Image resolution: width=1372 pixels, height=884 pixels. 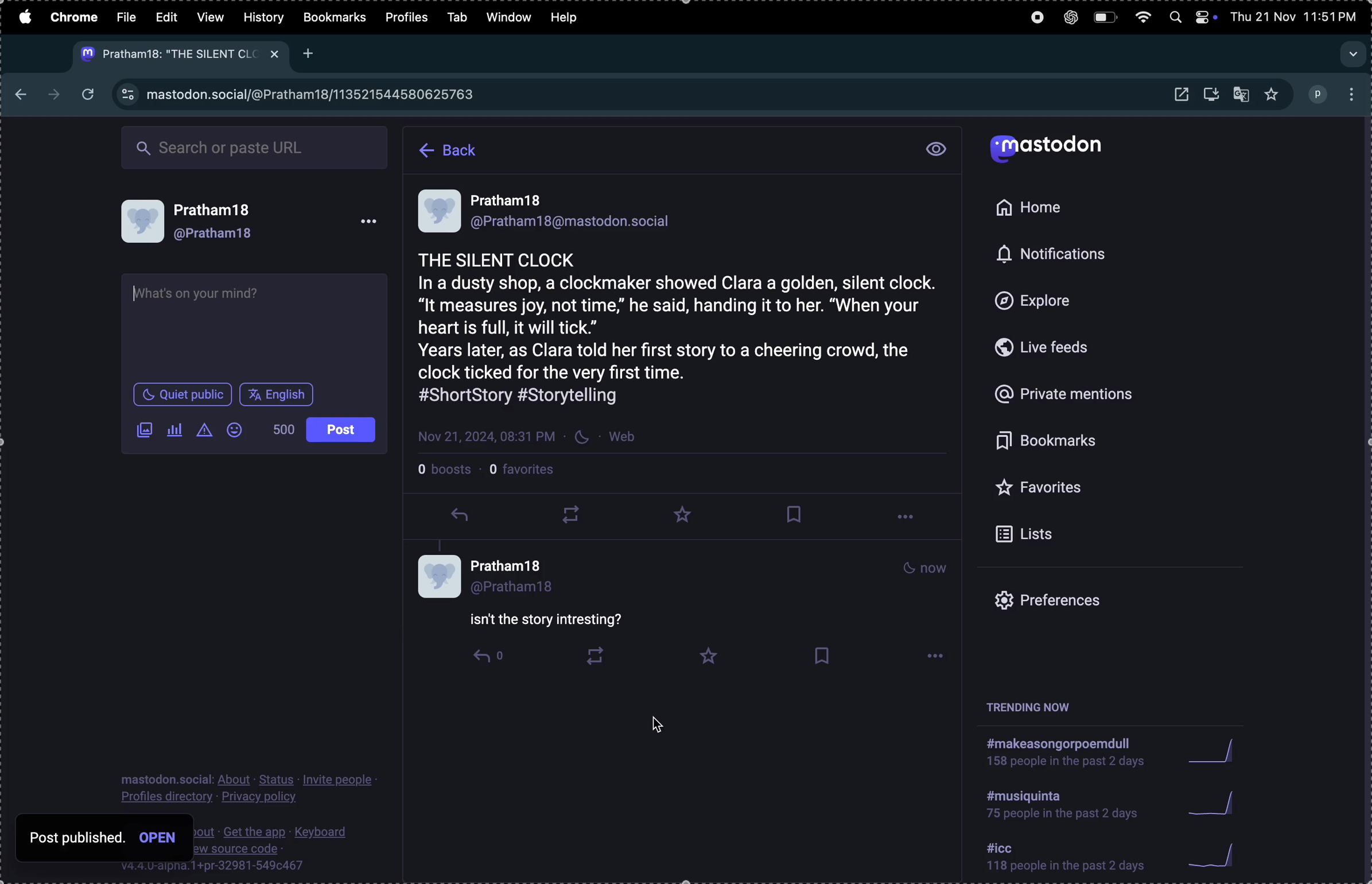 I want to click on battery, so click(x=1104, y=18).